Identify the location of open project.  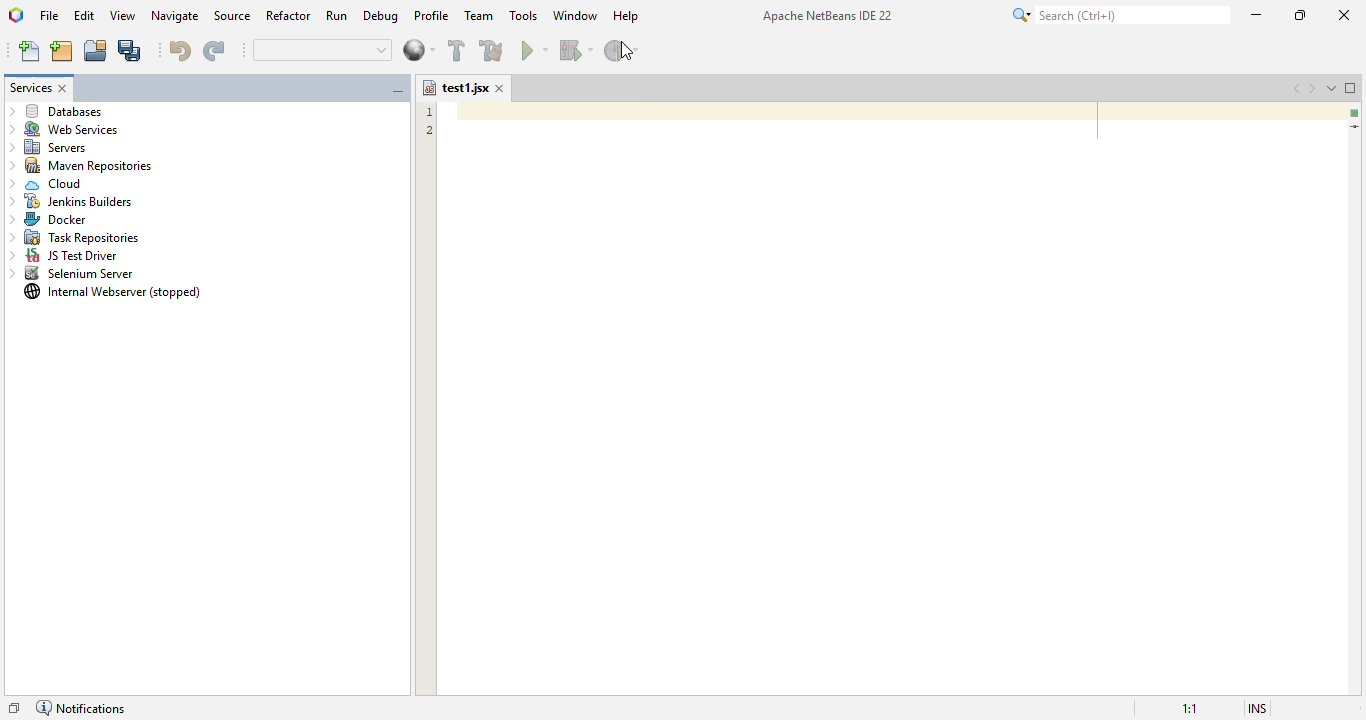
(96, 51).